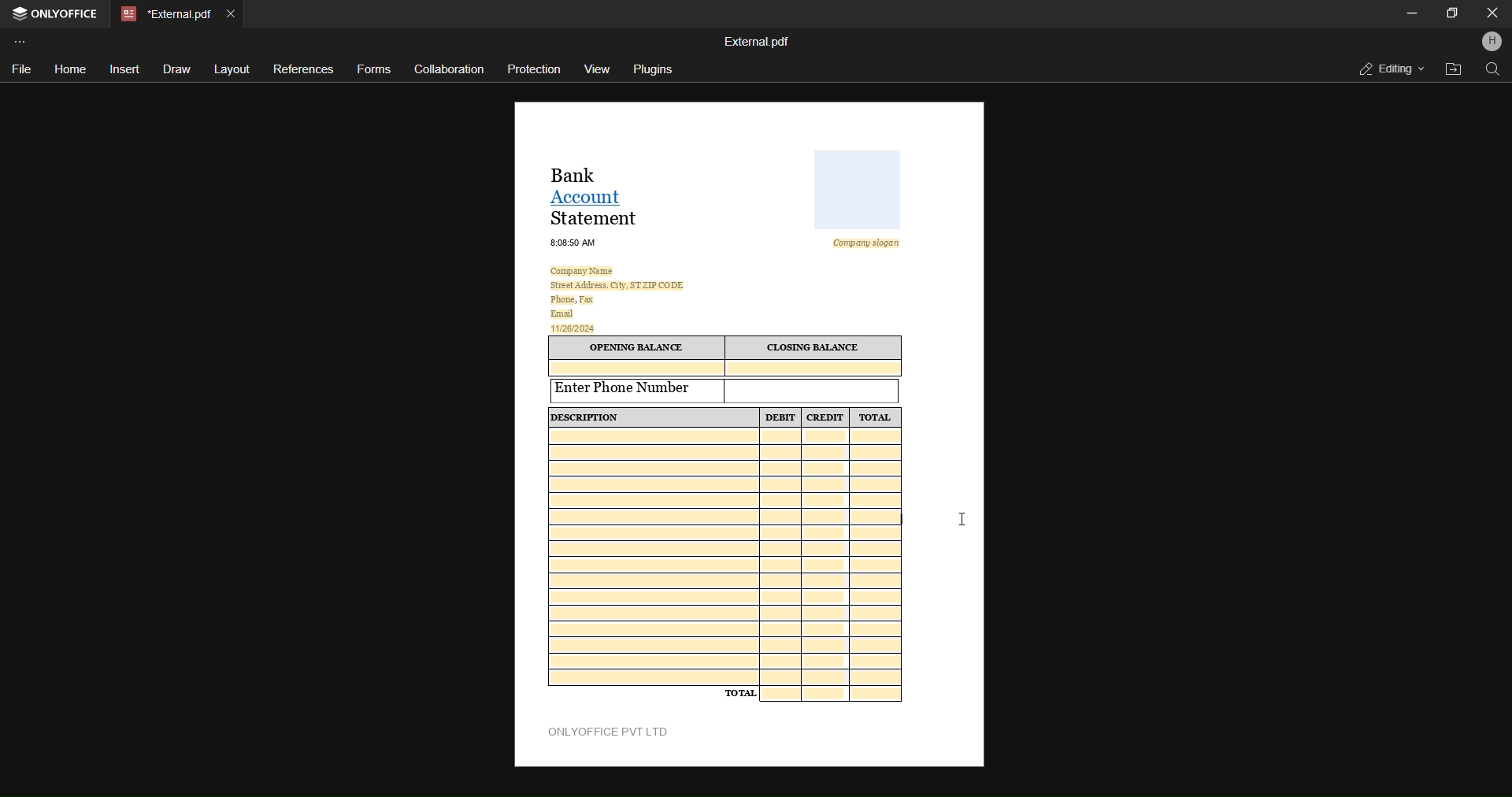 This screenshot has width=1512, height=797. I want to click on editing, so click(1388, 68).